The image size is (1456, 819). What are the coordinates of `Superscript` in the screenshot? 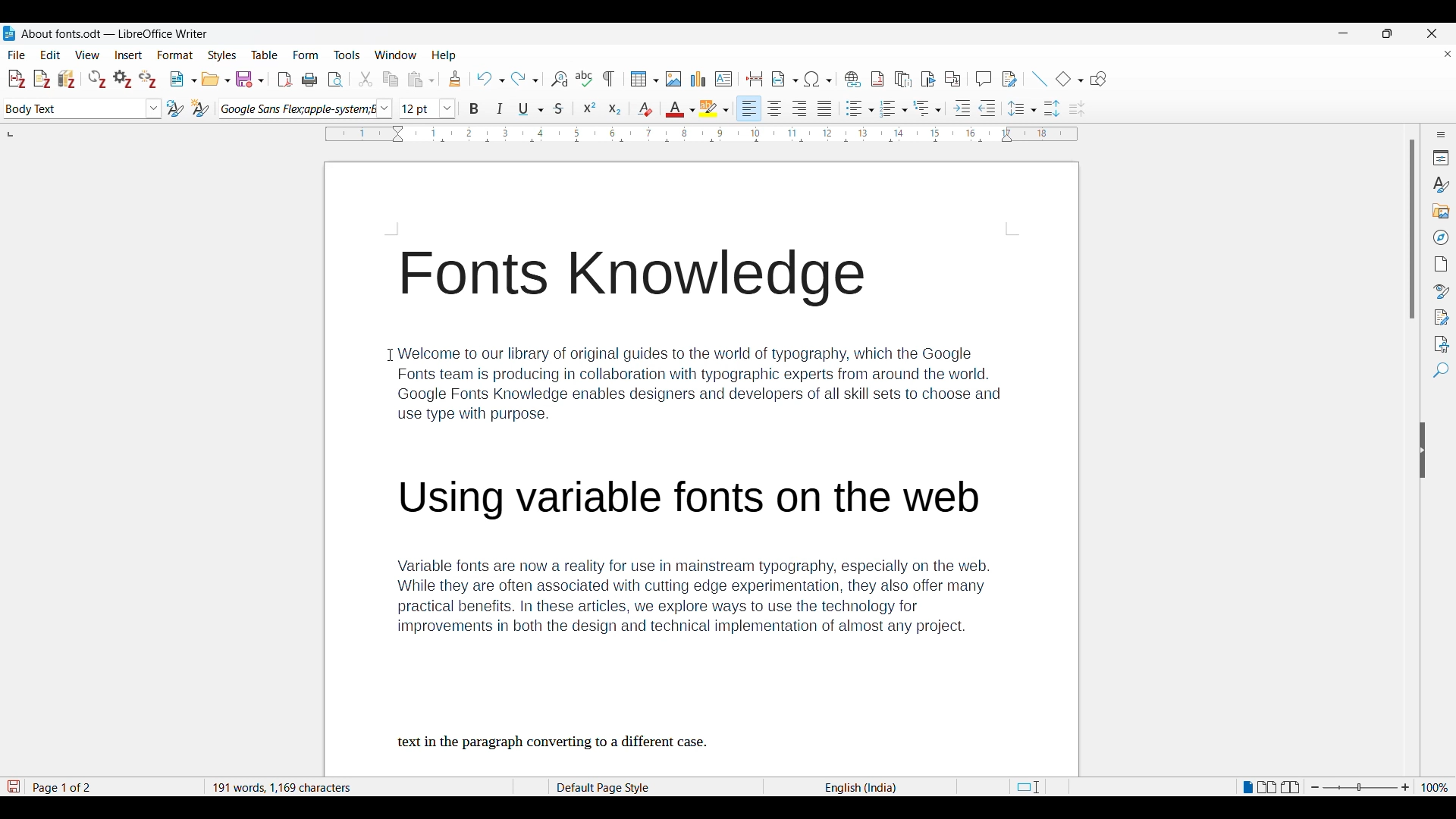 It's located at (589, 107).